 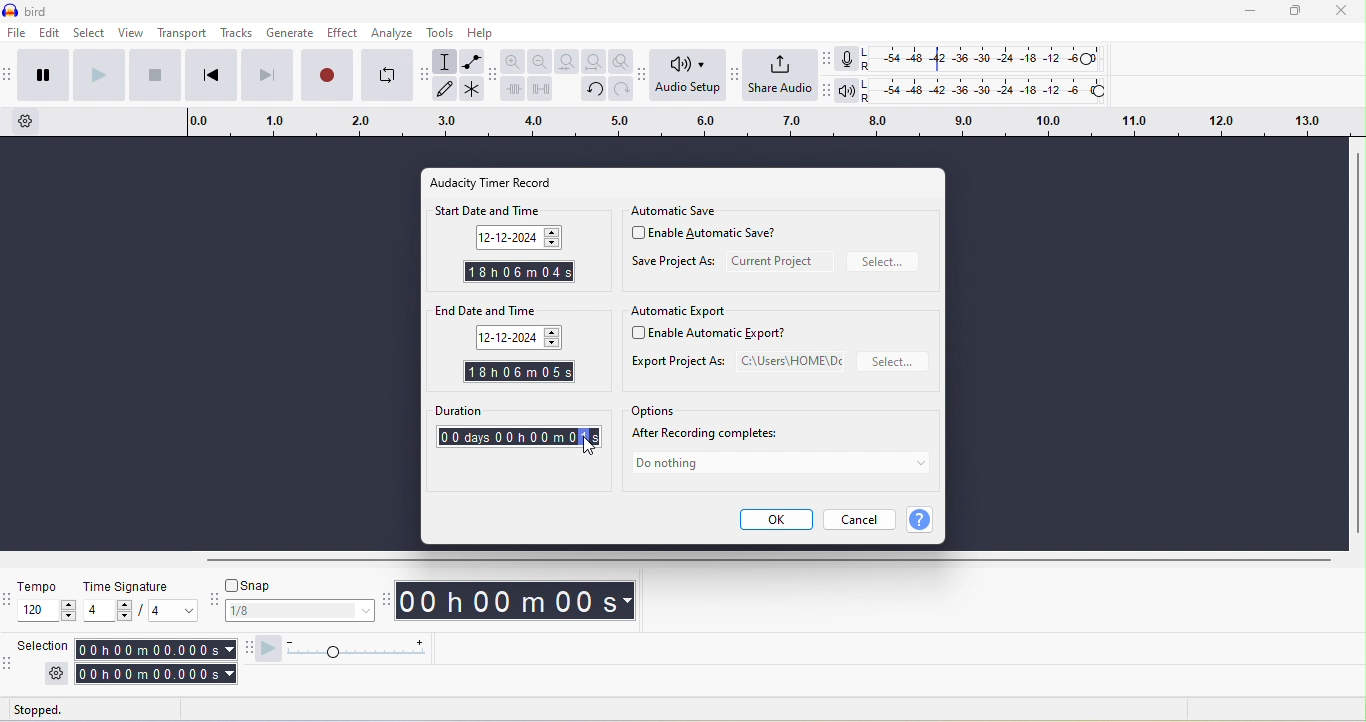 I want to click on 1/8, so click(x=299, y=612).